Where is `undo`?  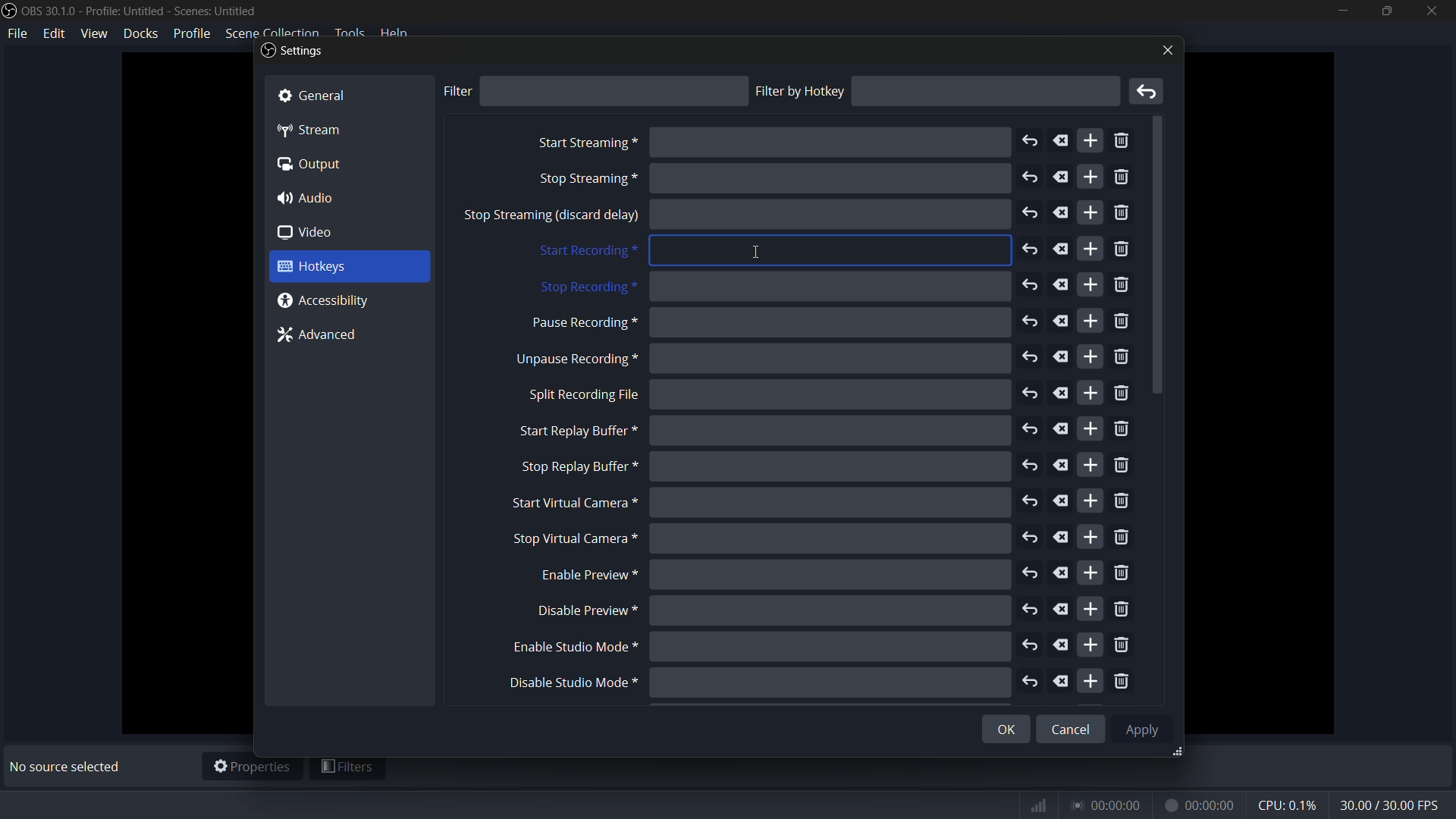 undo is located at coordinates (1031, 466).